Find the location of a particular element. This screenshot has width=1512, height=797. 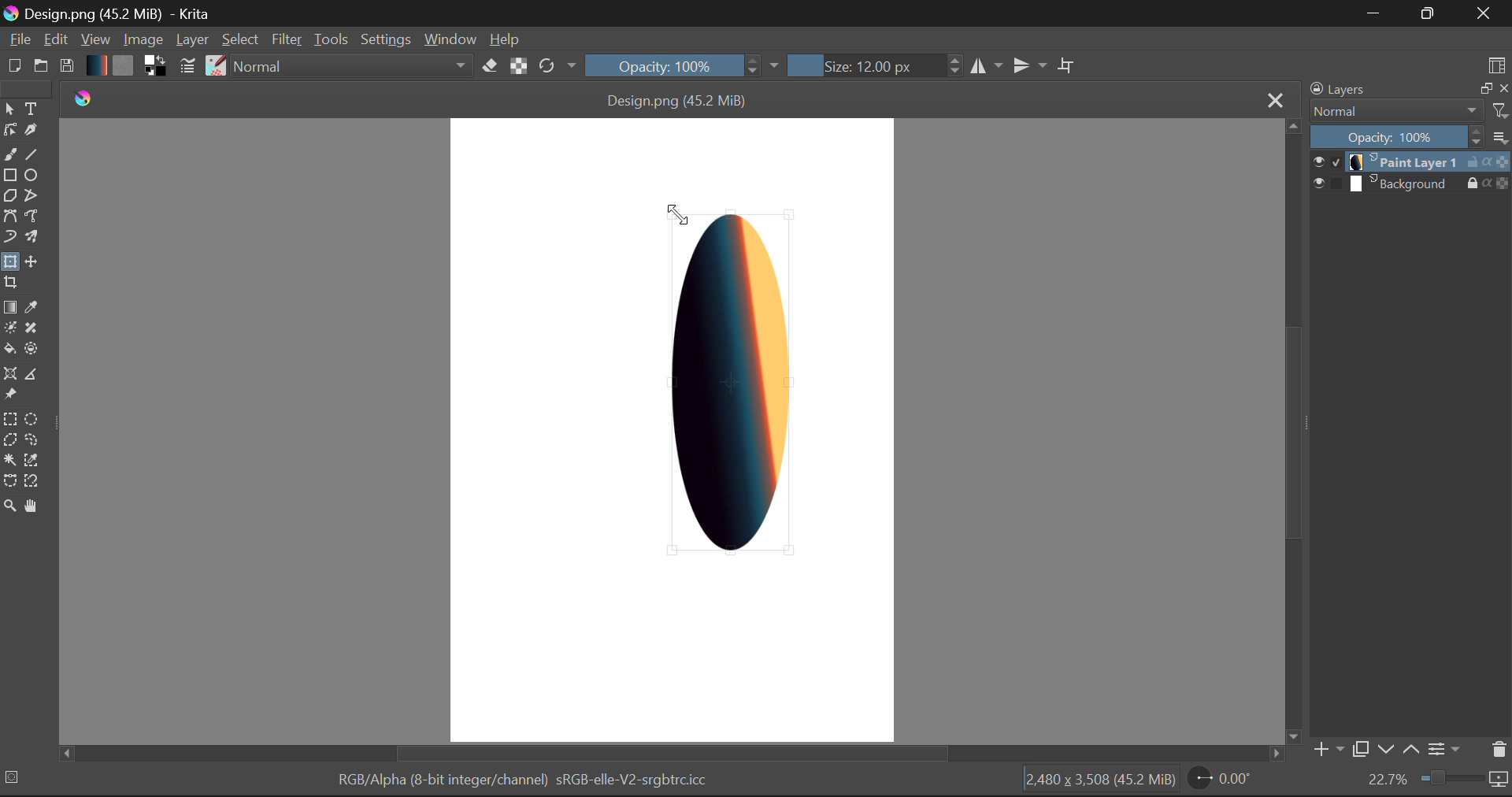

Text is located at coordinates (32, 109).